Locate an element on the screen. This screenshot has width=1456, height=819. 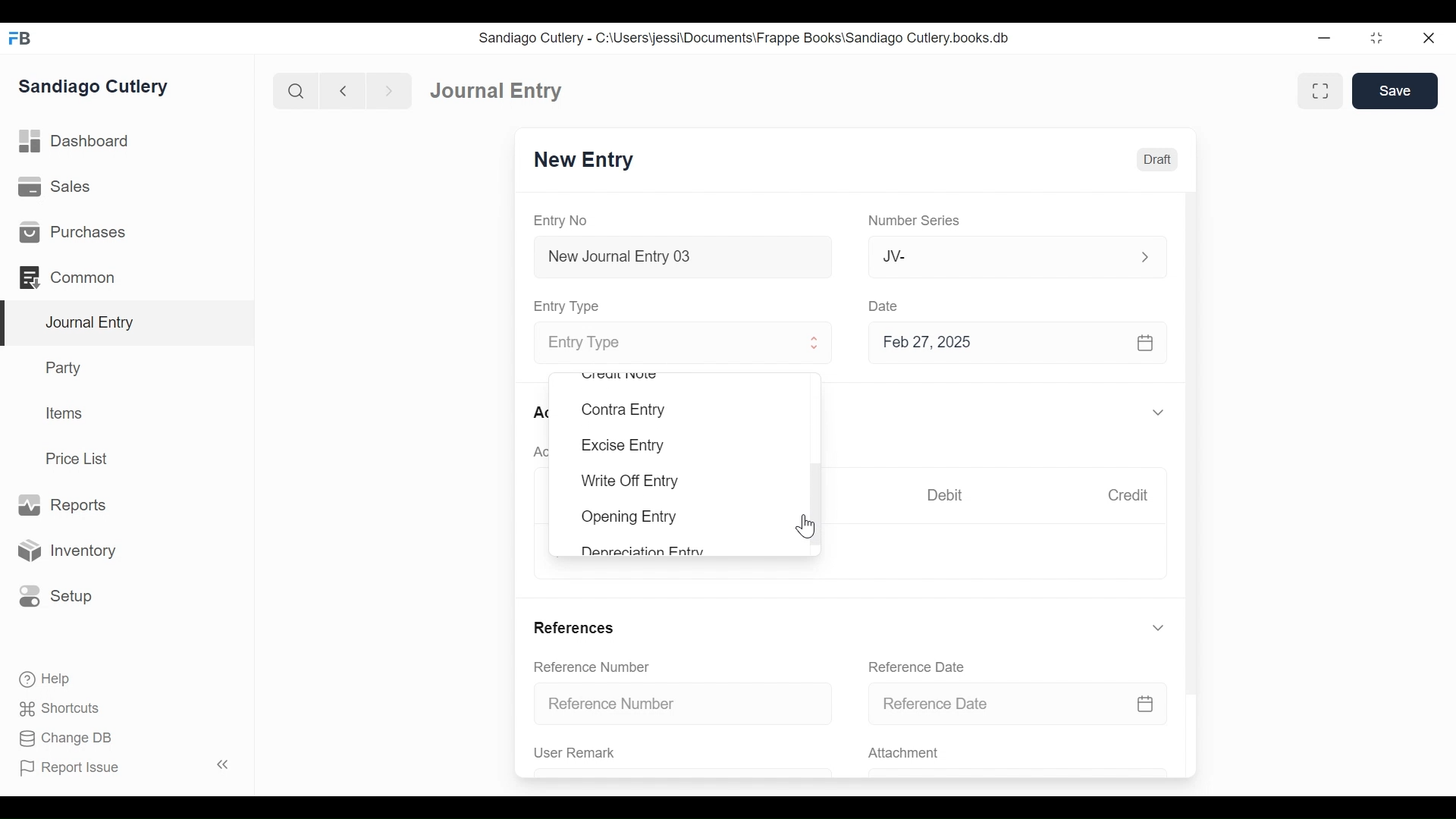
Sandiago Cutlery - C:\Users\jessi\Documents\Frappe Books\Sandiago Cutlery.books.db is located at coordinates (745, 37).